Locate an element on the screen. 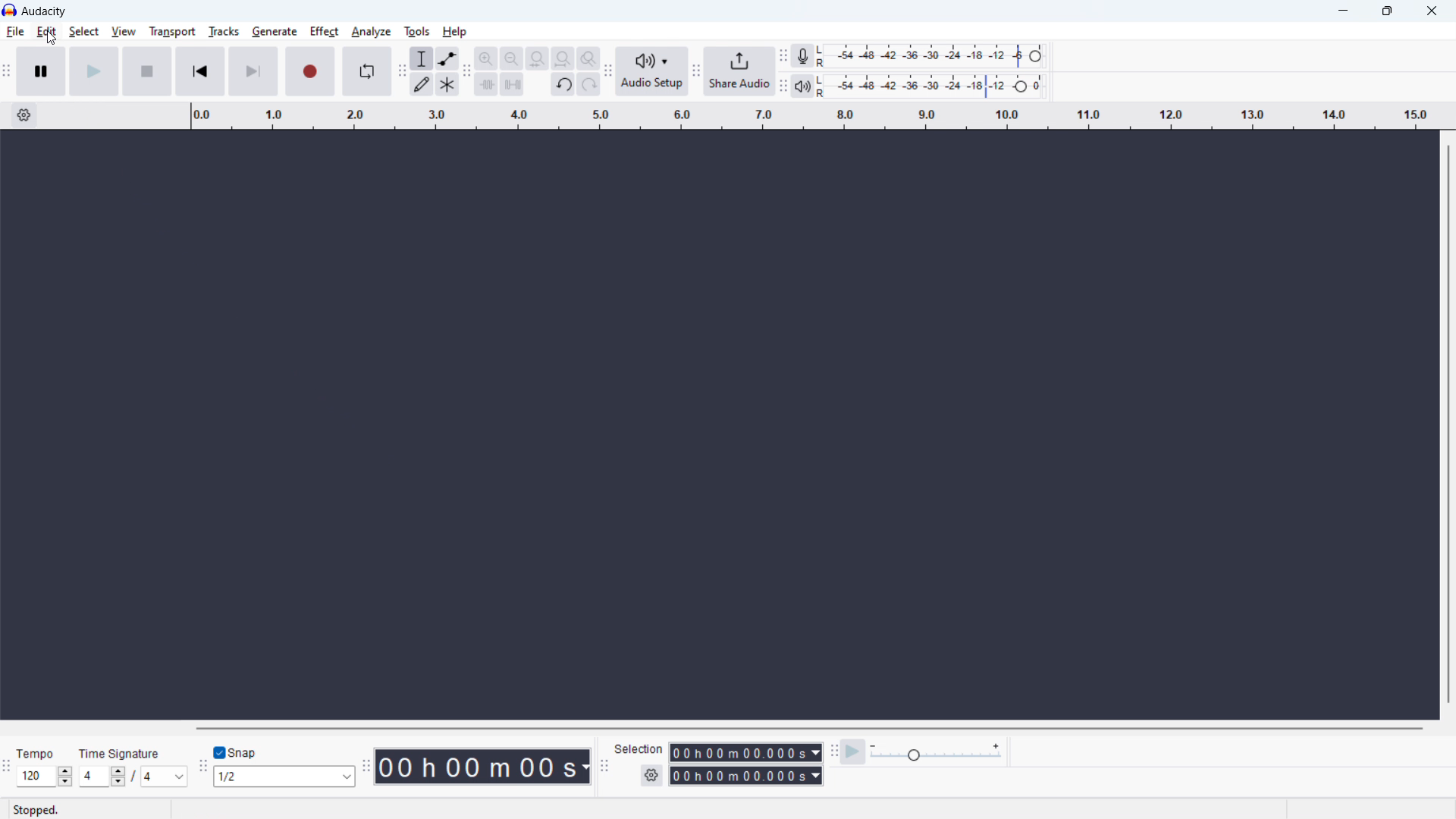  stop is located at coordinates (147, 71).